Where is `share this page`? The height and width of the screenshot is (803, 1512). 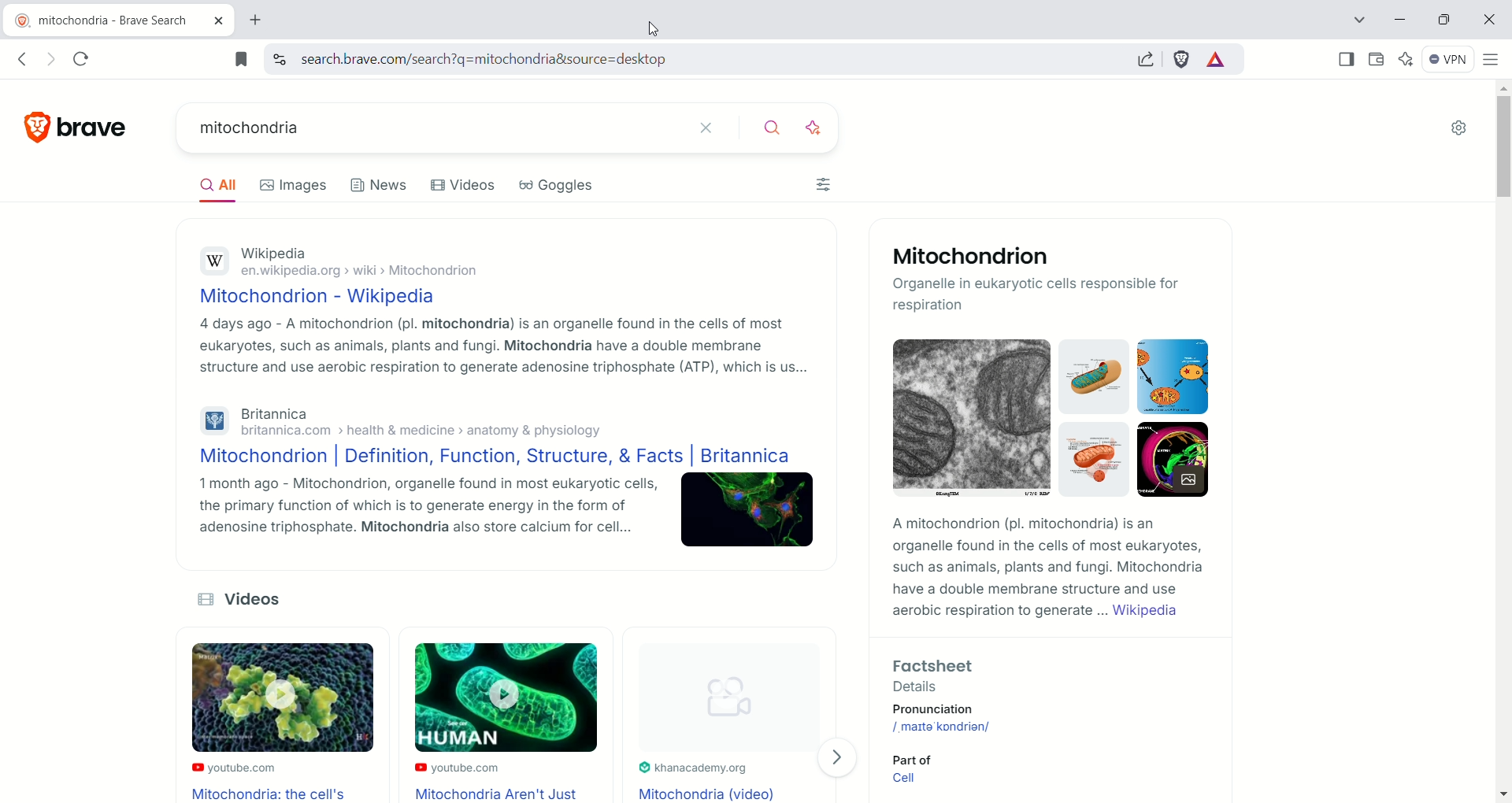
share this page is located at coordinates (1151, 60).